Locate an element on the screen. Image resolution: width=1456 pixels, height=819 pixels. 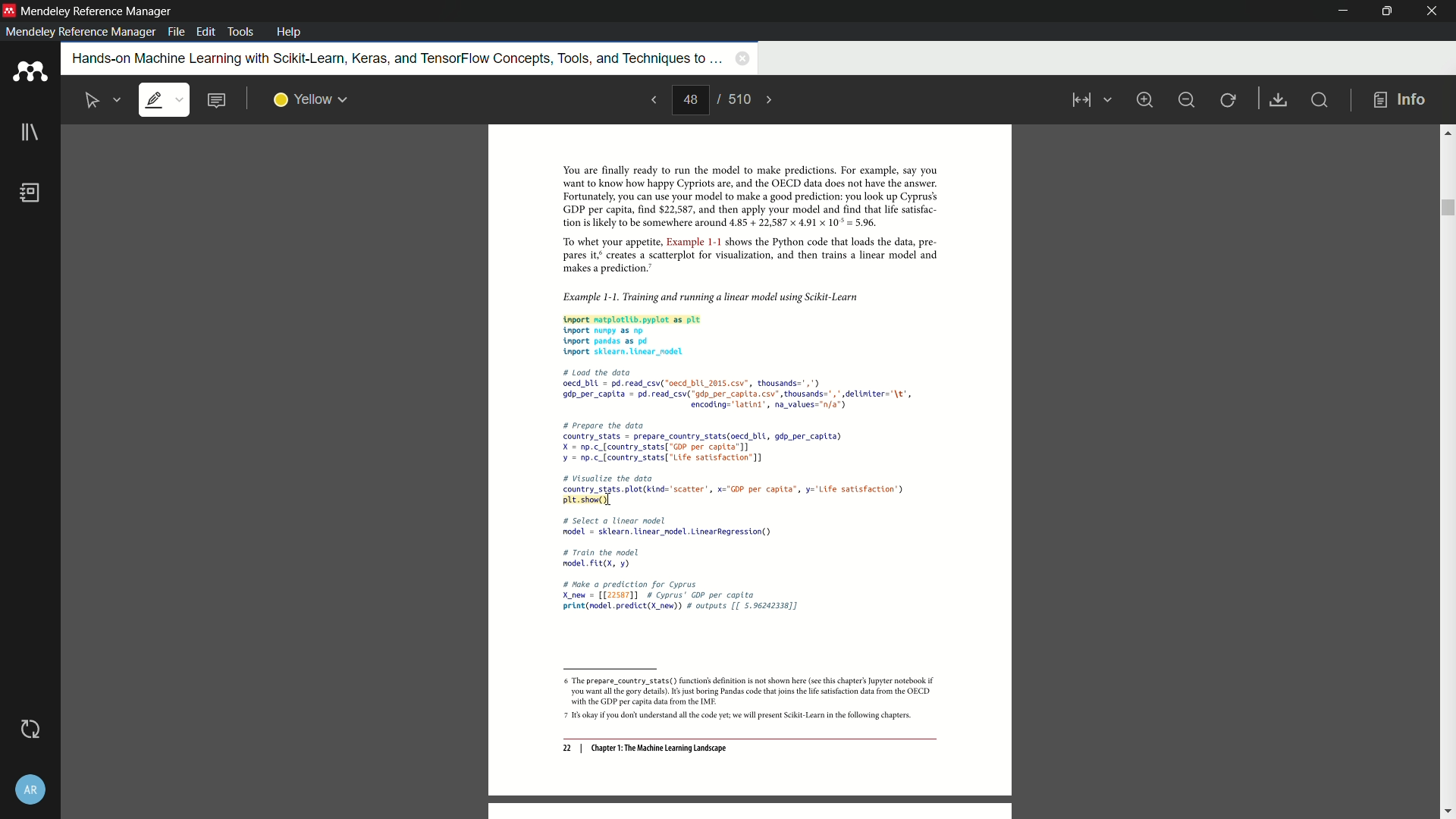
scroll down is located at coordinates (1447, 812).